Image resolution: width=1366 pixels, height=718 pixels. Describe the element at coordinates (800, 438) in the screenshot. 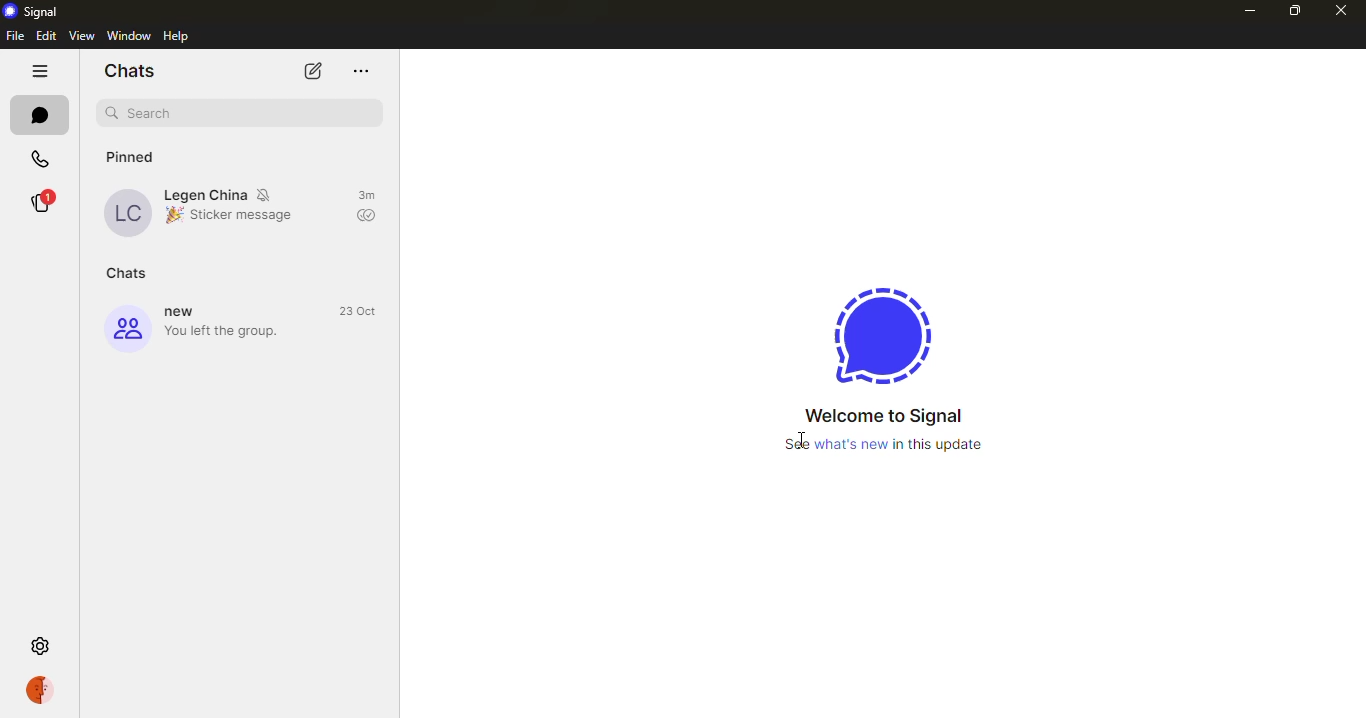

I see `cursor` at that location.